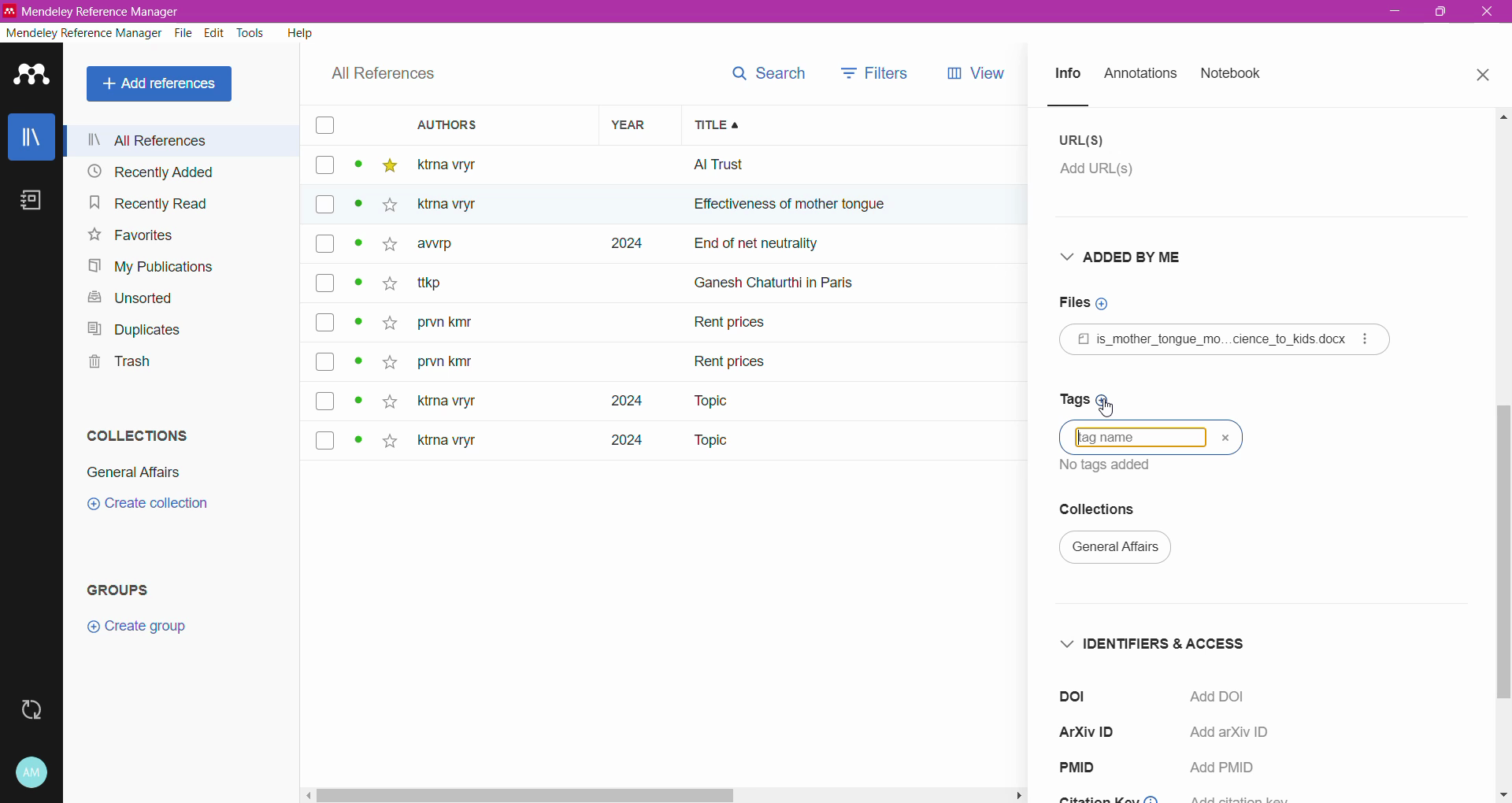  Describe the element at coordinates (136, 299) in the screenshot. I see `Unsorted` at that location.